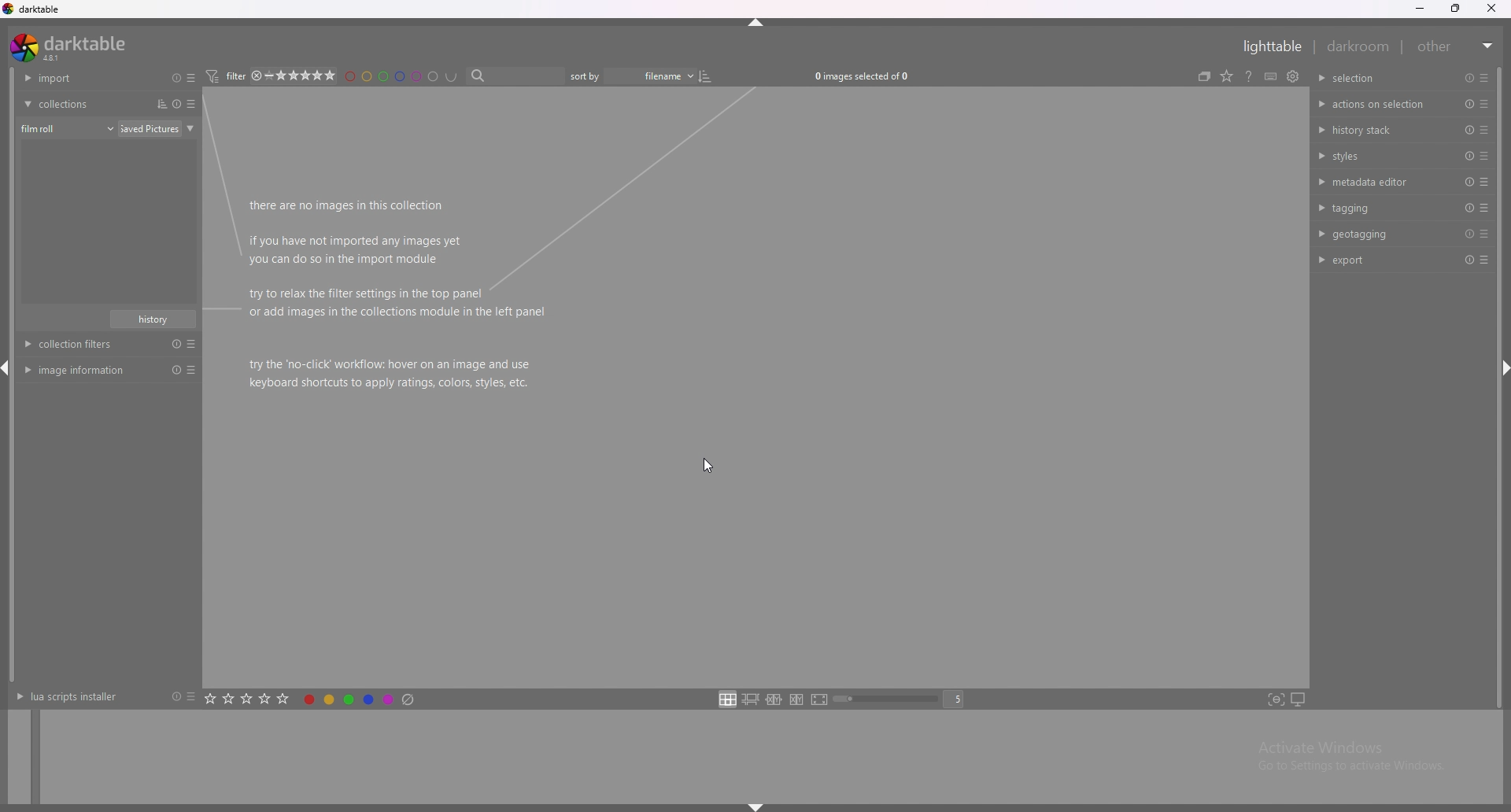 Image resolution: width=1511 pixels, height=812 pixels. I want to click on history name, so click(153, 319).